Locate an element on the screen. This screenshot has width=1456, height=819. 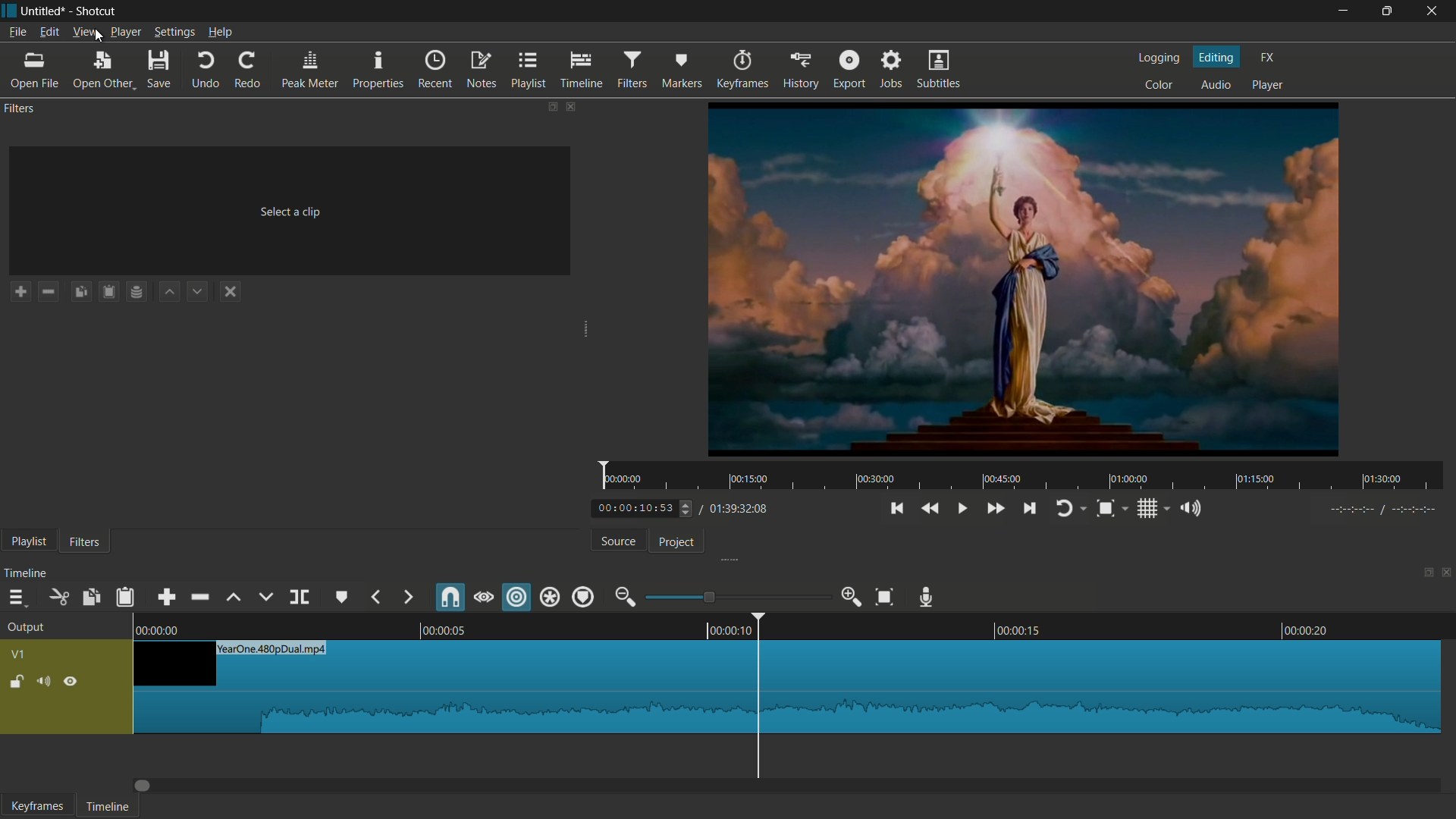
move filter down is located at coordinates (197, 293).